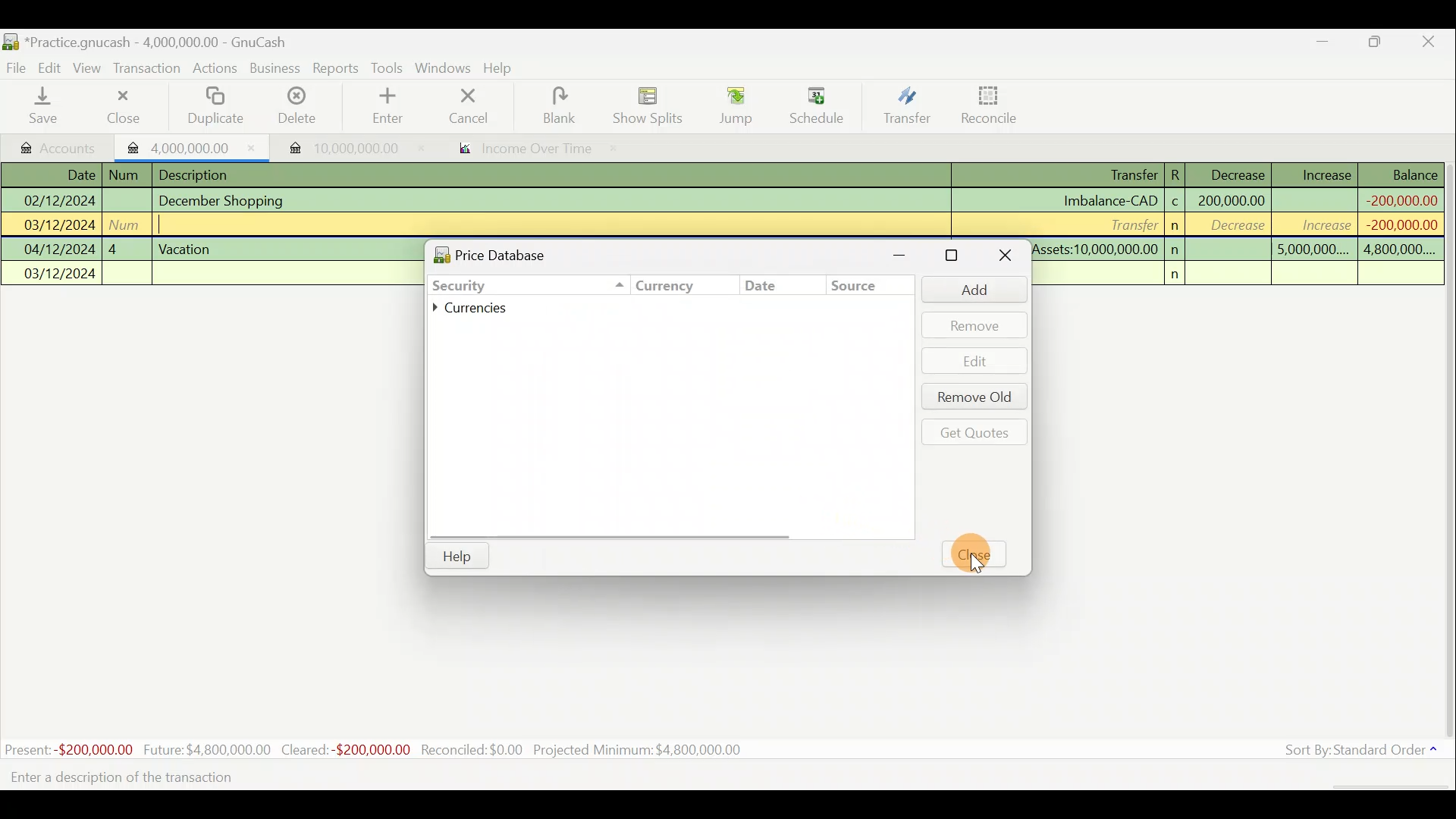 The image size is (1456, 819). Describe the element at coordinates (984, 105) in the screenshot. I see `Reconcile` at that location.